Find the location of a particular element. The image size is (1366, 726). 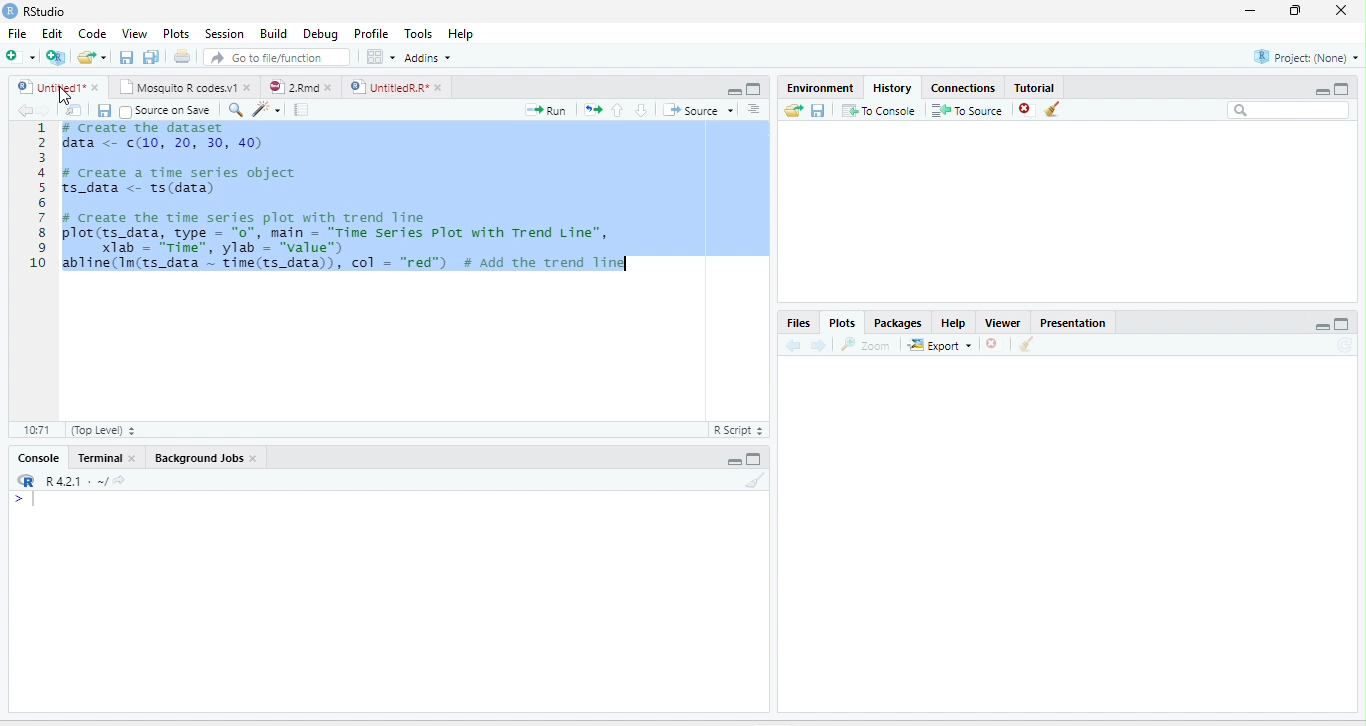

Plots is located at coordinates (176, 33).